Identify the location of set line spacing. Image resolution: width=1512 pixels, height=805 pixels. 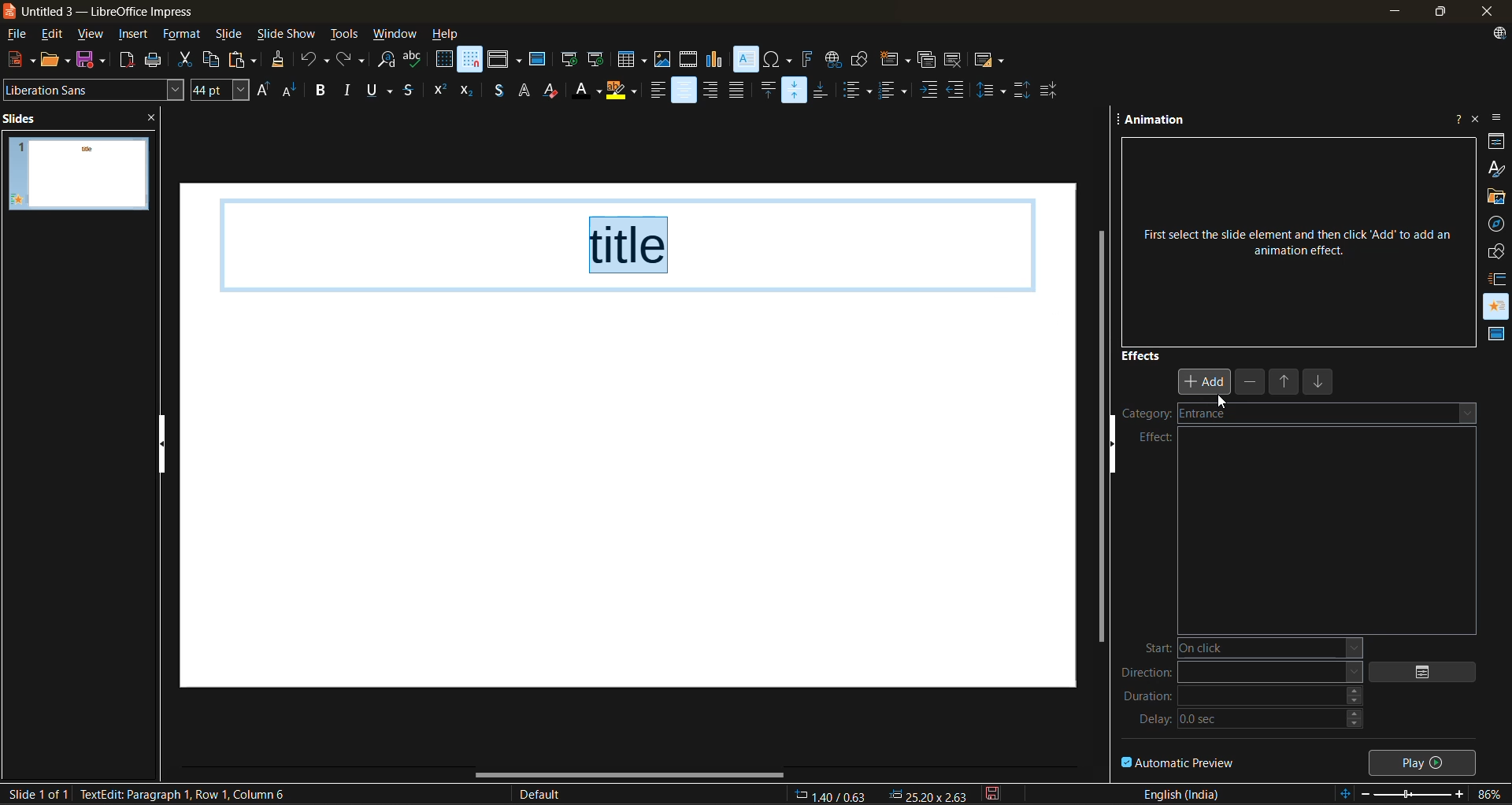
(992, 89).